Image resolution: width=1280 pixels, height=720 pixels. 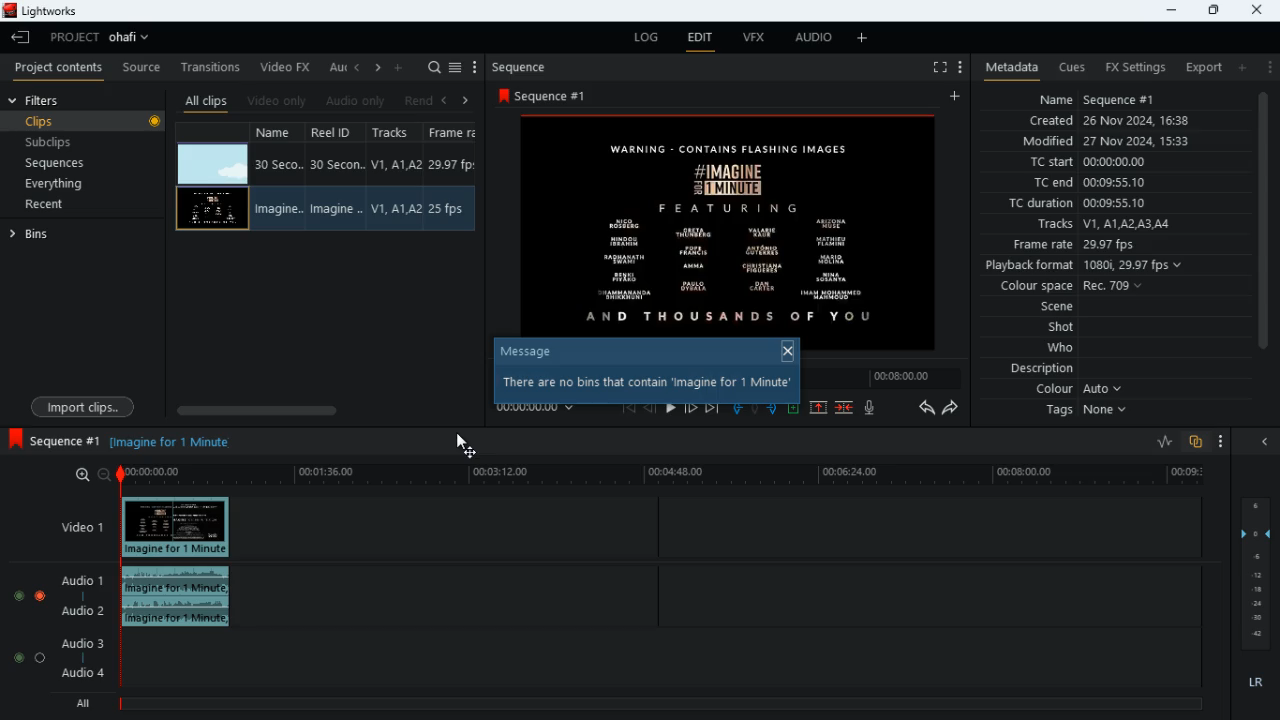 What do you see at coordinates (43, 11) in the screenshot?
I see `lightworks` at bounding box center [43, 11].